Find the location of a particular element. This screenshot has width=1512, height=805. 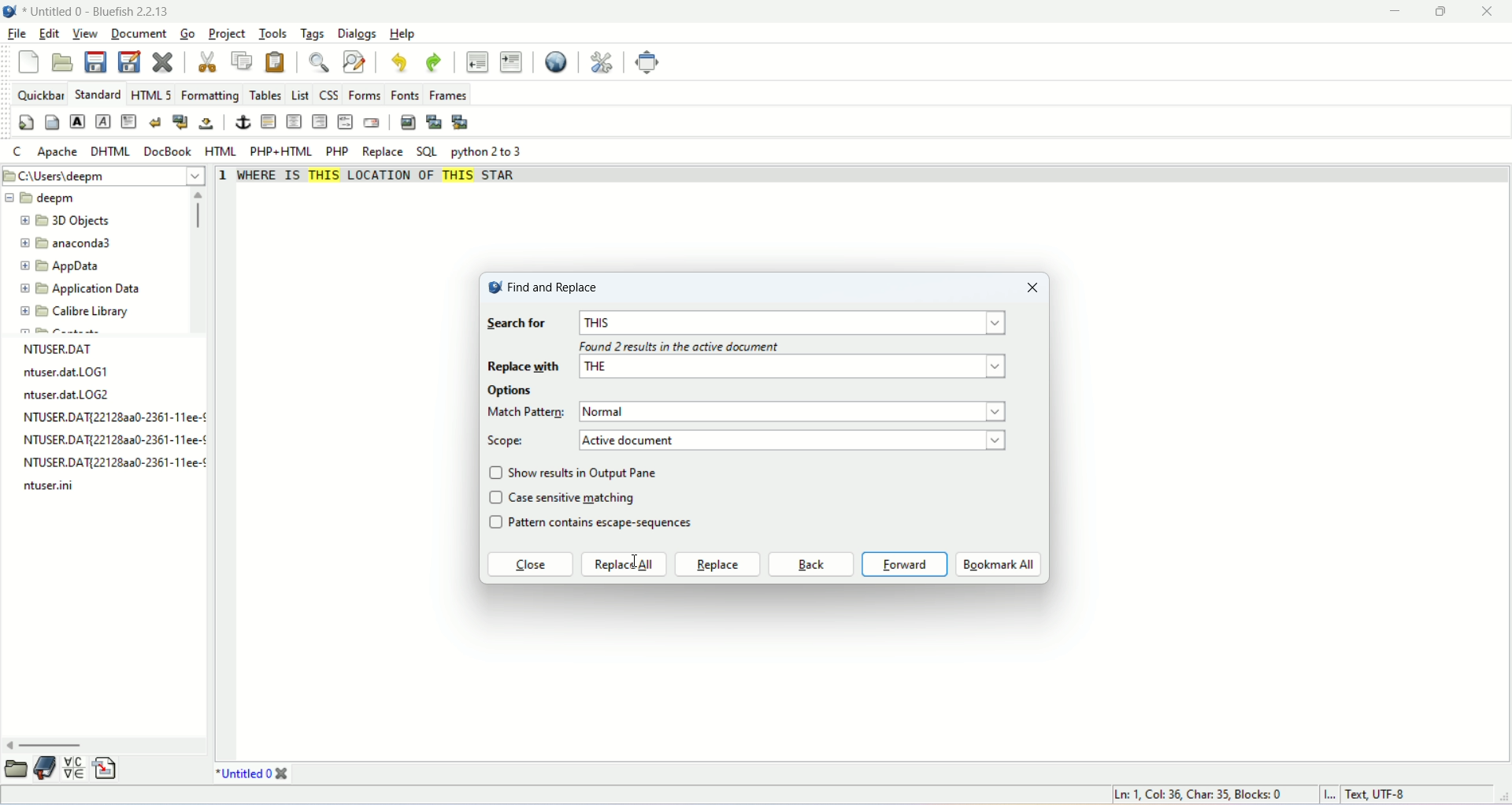

WHERE IS THIS LOCATION OF THIS STAR is located at coordinates (387, 181).